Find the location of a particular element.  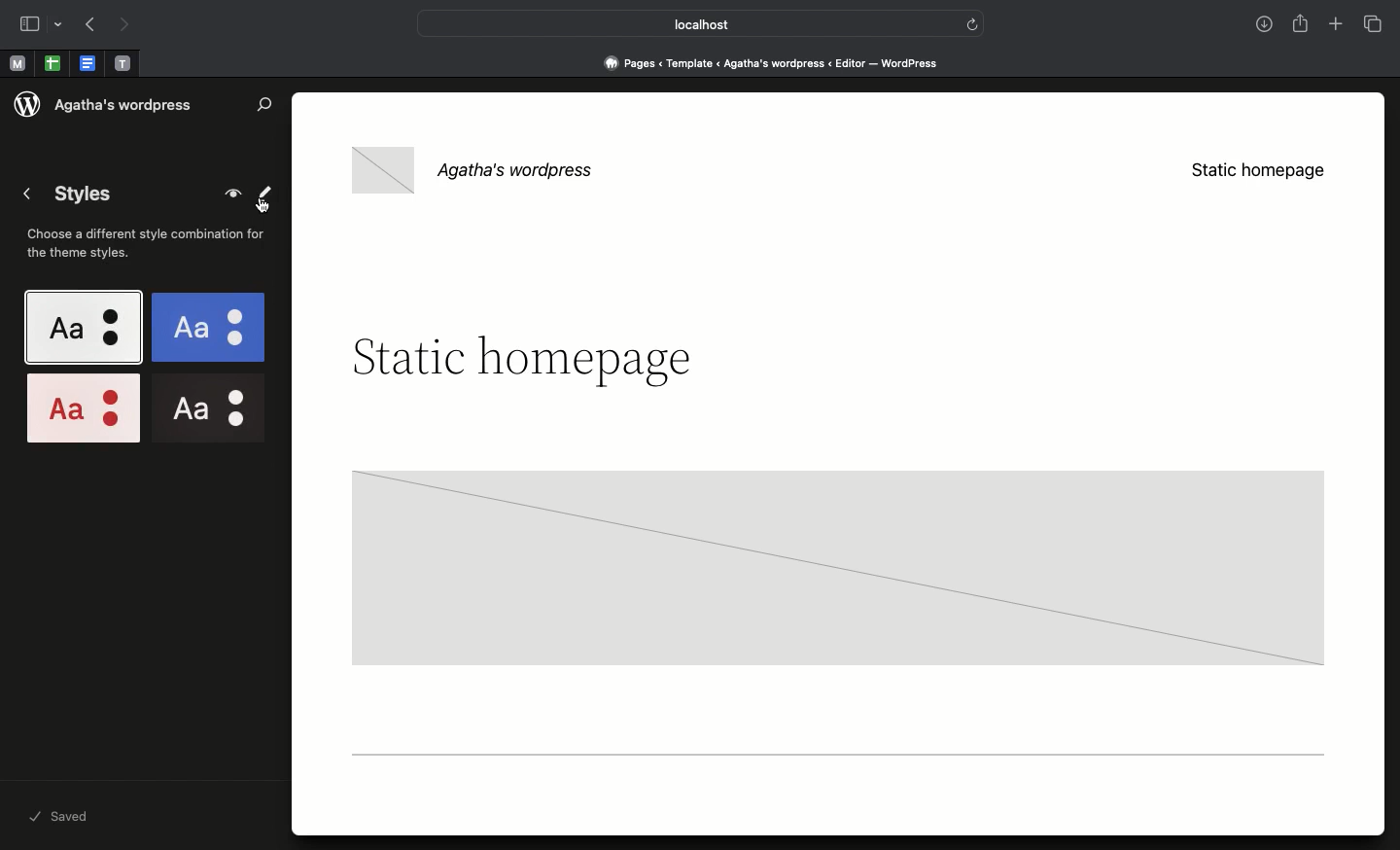

Static homepage is located at coordinates (1255, 172).